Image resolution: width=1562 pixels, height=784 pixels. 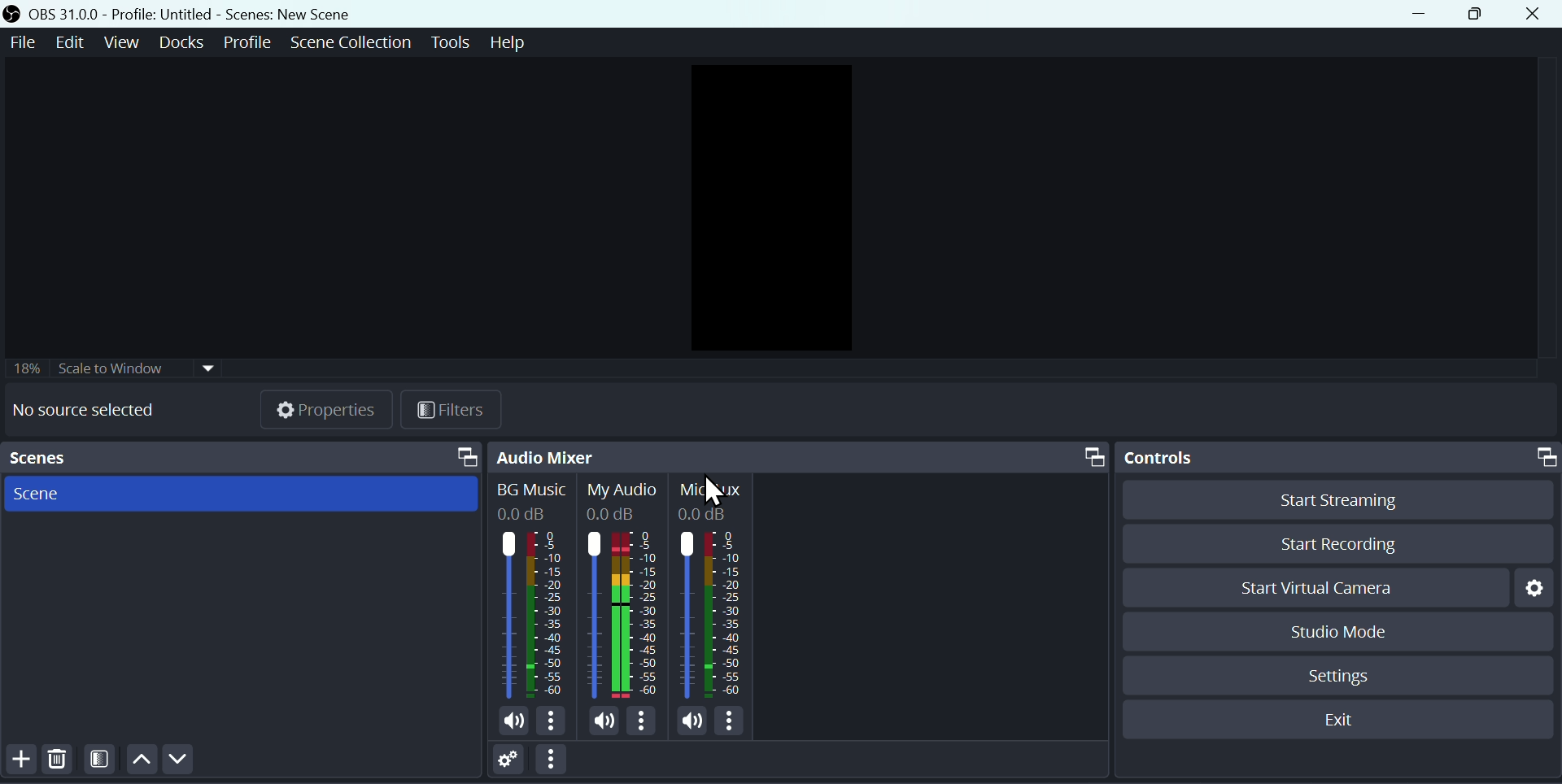 What do you see at coordinates (623, 621) in the screenshot?
I see `Audiobar` at bounding box center [623, 621].